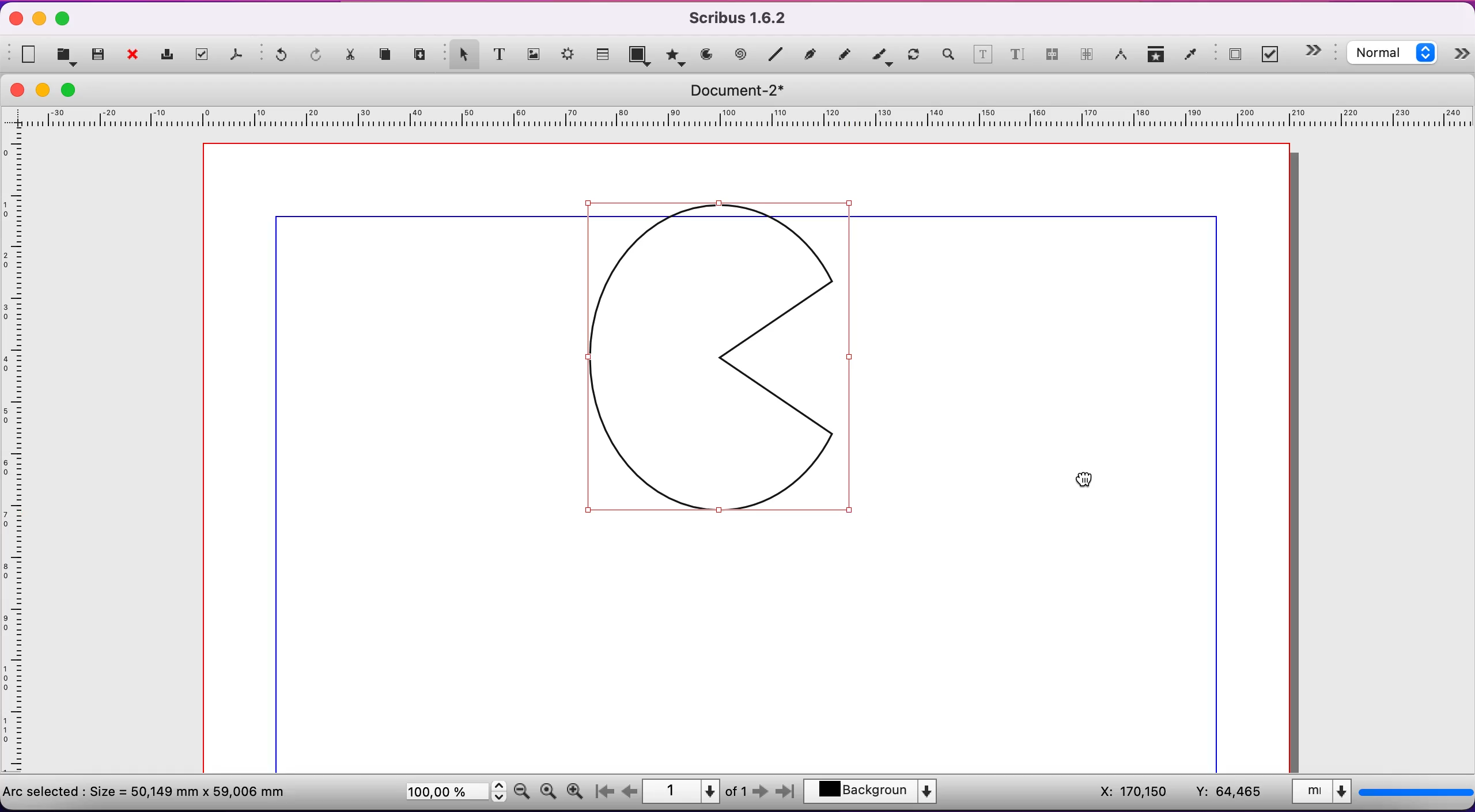 Image resolution: width=1475 pixels, height=812 pixels. I want to click on edit text with story editor, so click(1017, 59).